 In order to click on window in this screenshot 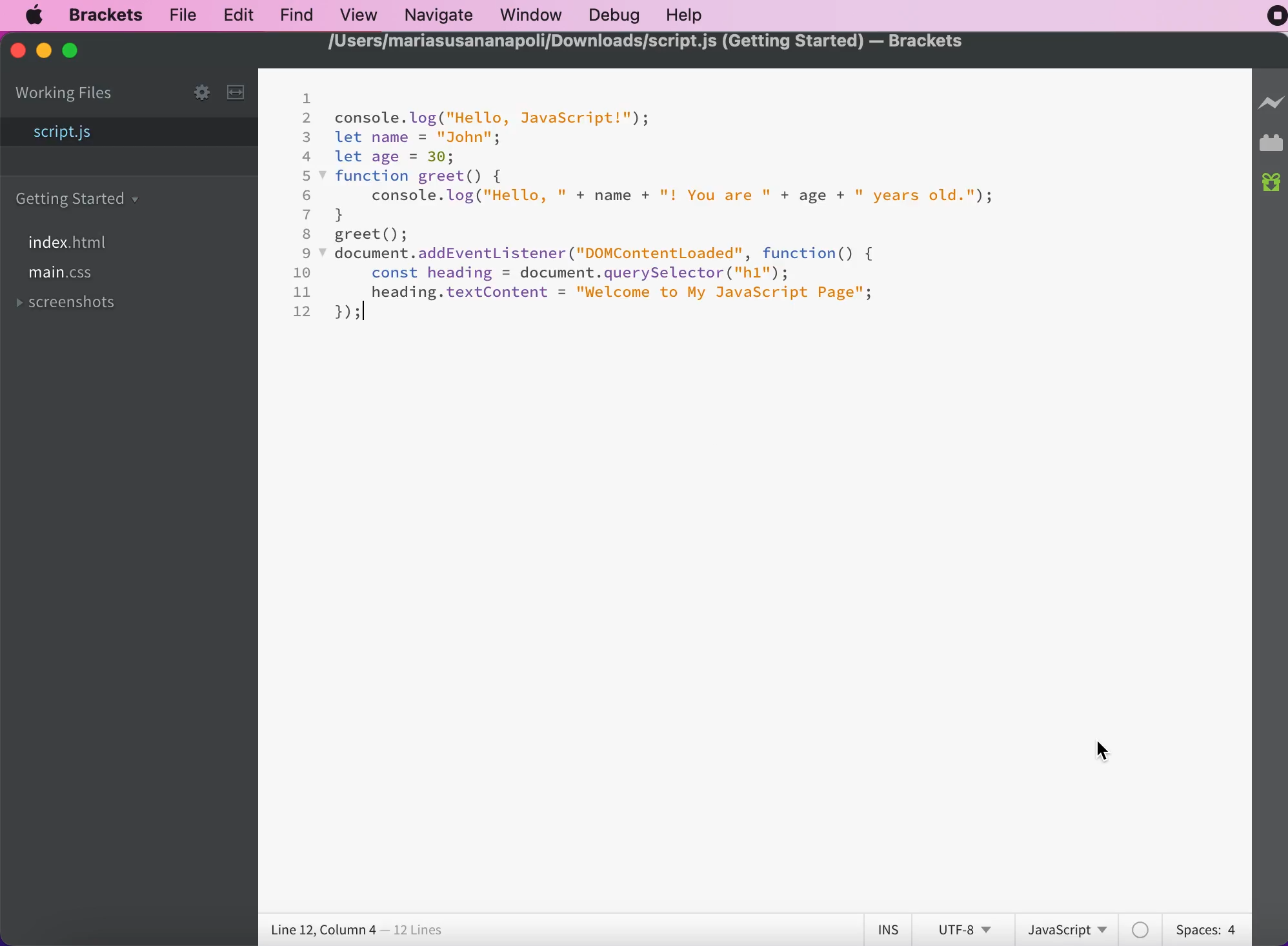, I will do `click(529, 15)`.